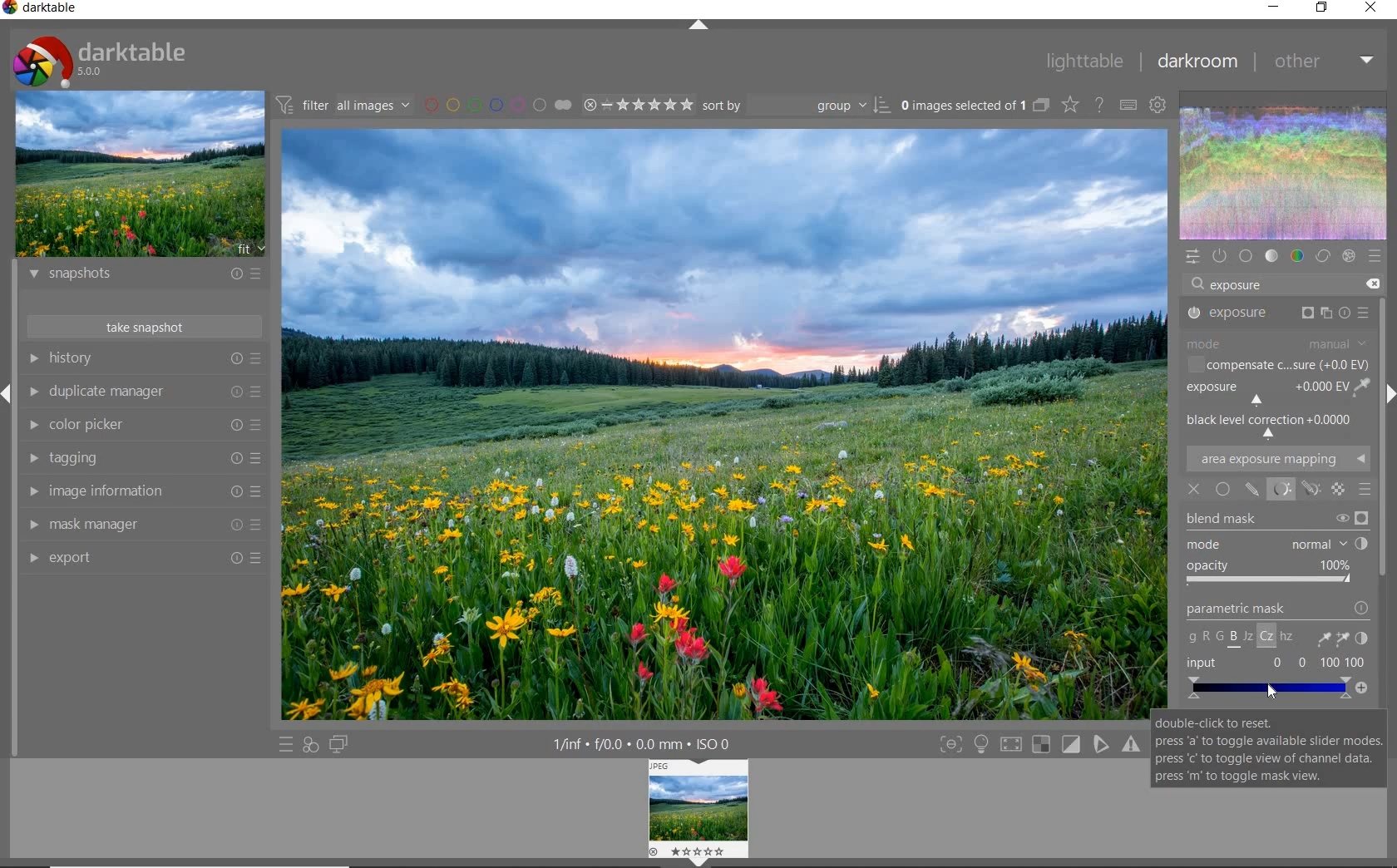 This screenshot has width=1397, height=868. What do you see at coordinates (1298, 254) in the screenshot?
I see `color` at bounding box center [1298, 254].